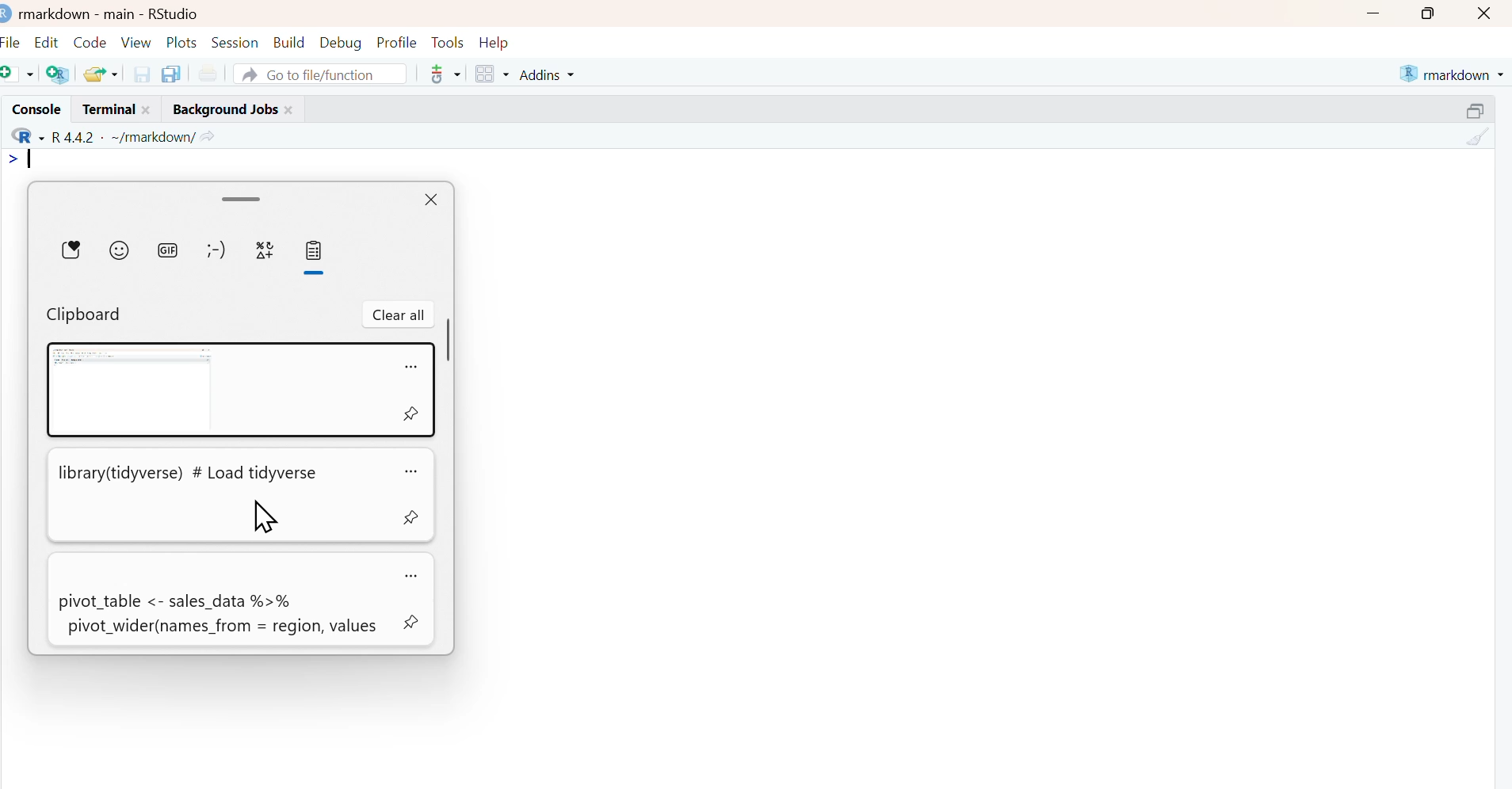 The width and height of the screenshot is (1512, 789). I want to click on close, so click(151, 109).